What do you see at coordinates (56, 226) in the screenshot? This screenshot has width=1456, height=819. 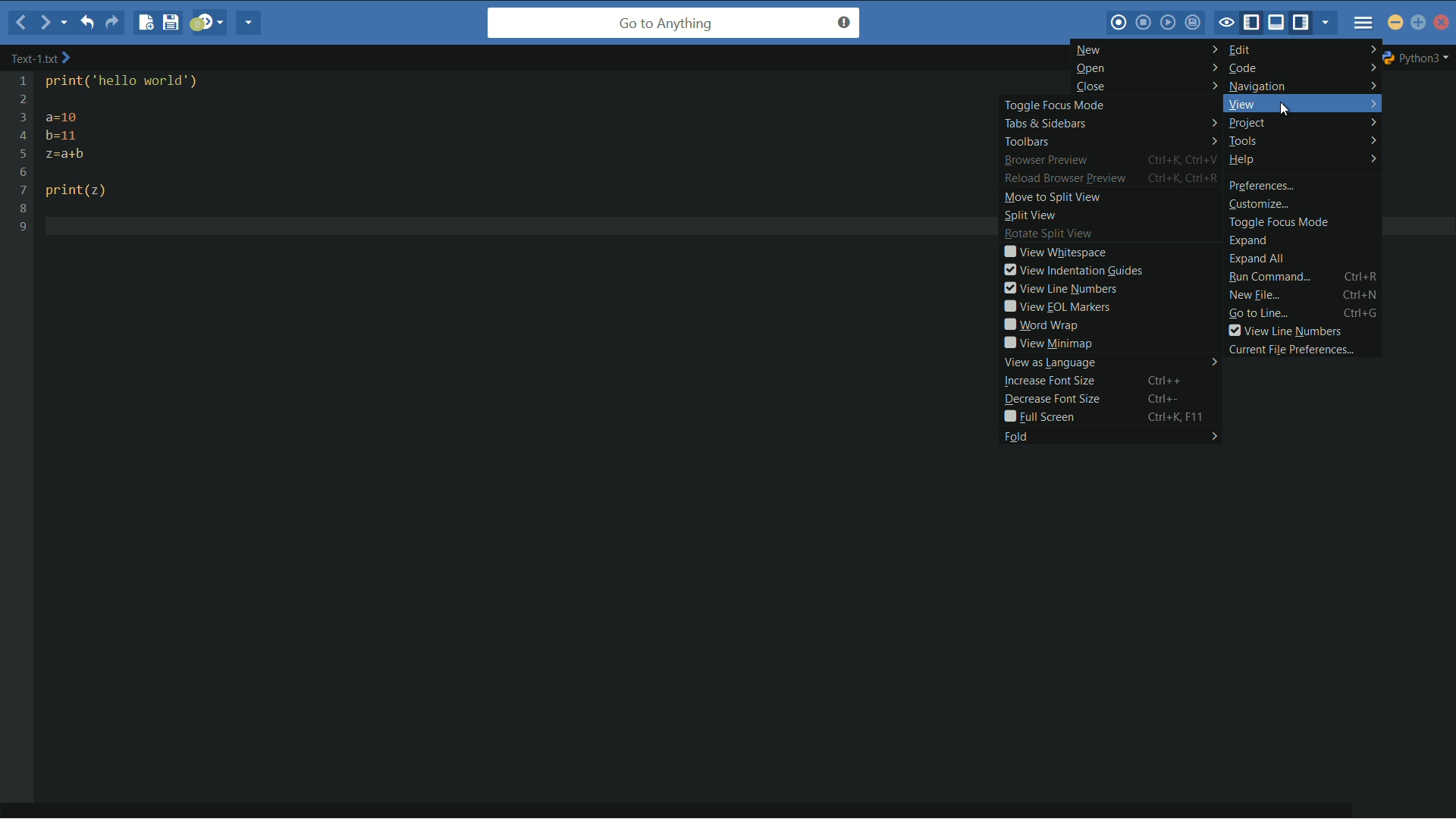 I see `text cursor` at bounding box center [56, 226].